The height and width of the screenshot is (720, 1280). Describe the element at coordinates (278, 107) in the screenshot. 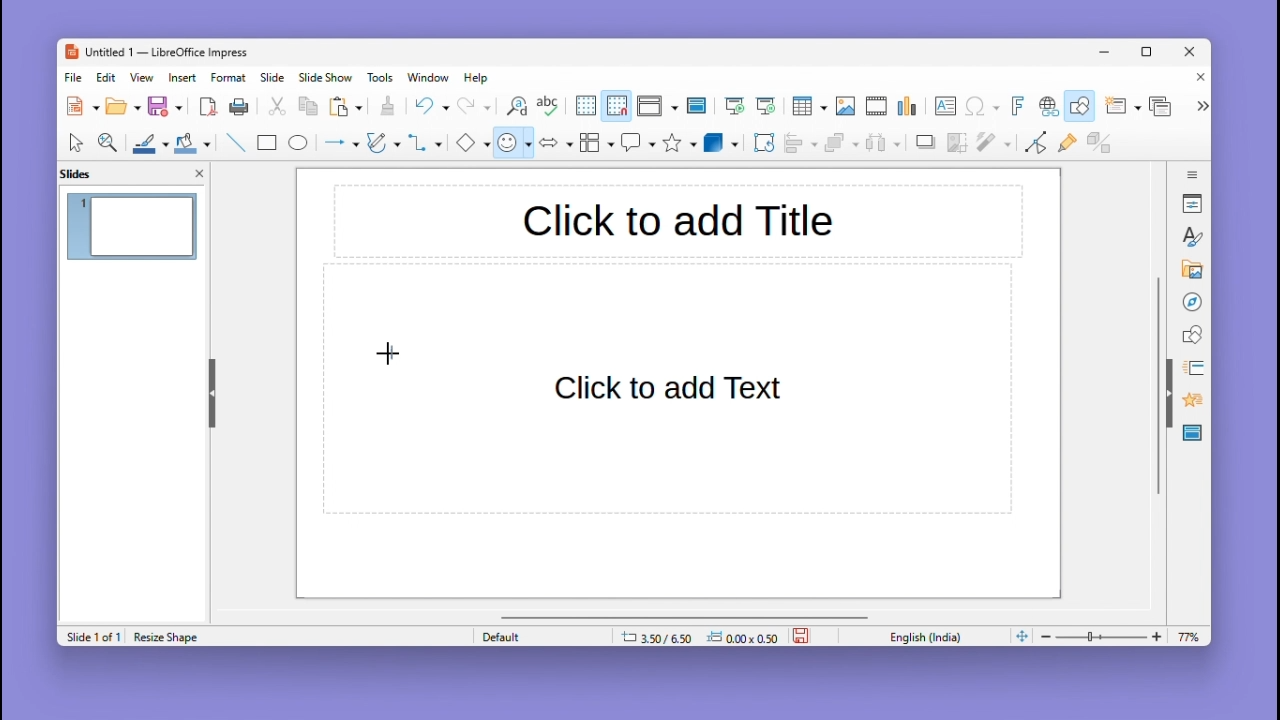

I see `cut` at that location.